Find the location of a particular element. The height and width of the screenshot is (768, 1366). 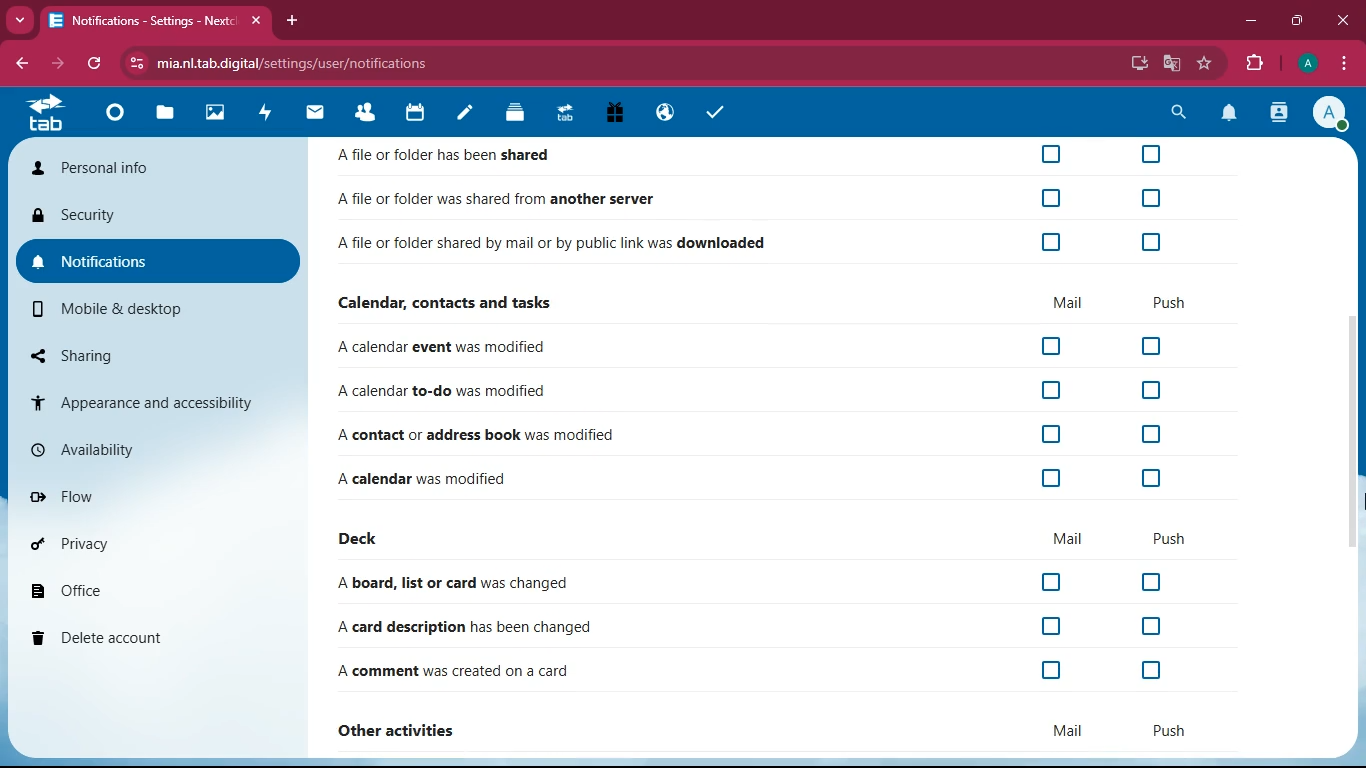

favorite is located at coordinates (1206, 63).